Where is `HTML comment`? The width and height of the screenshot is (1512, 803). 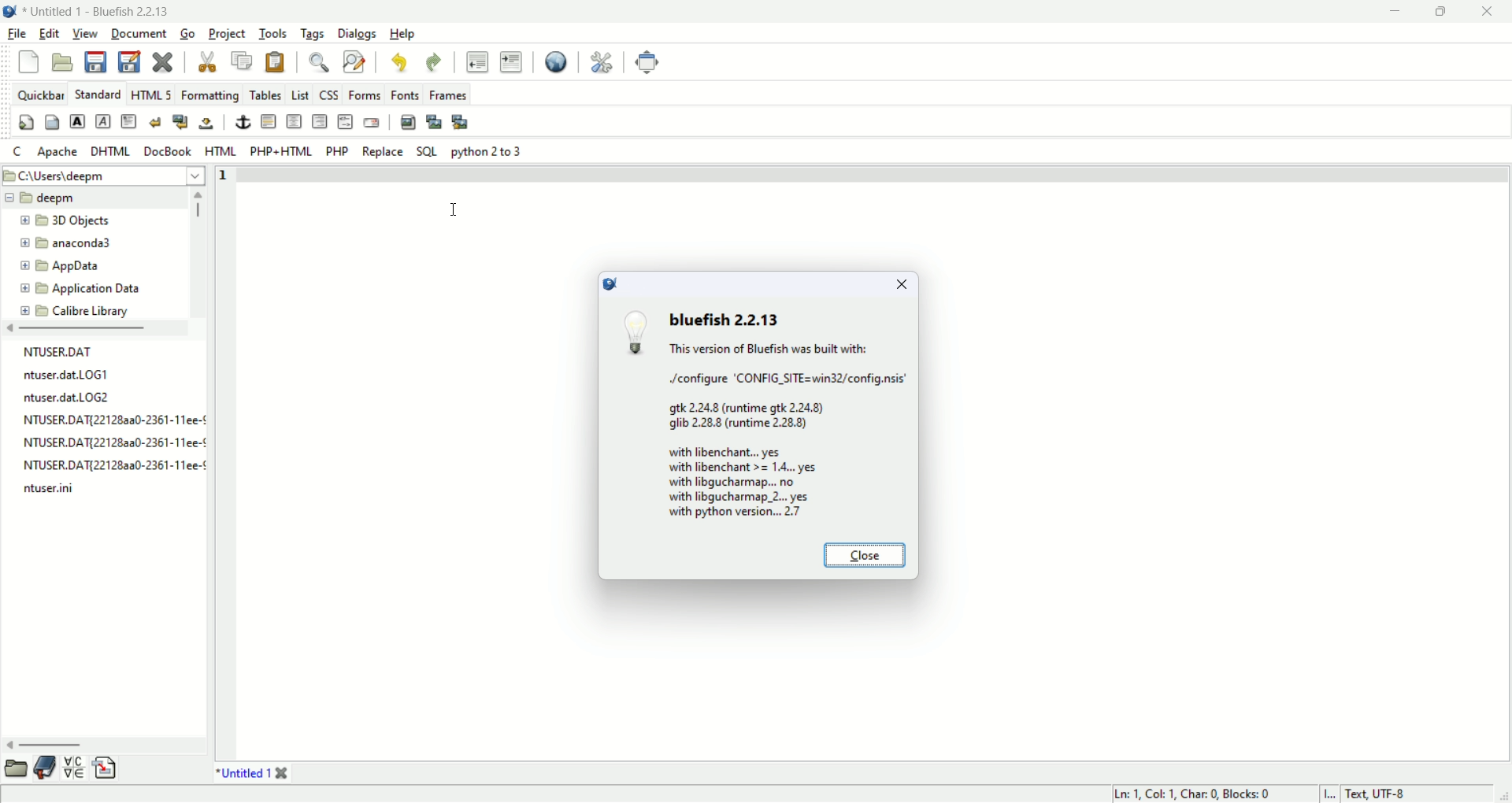 HTML comment is located at coordinates (345, 121).